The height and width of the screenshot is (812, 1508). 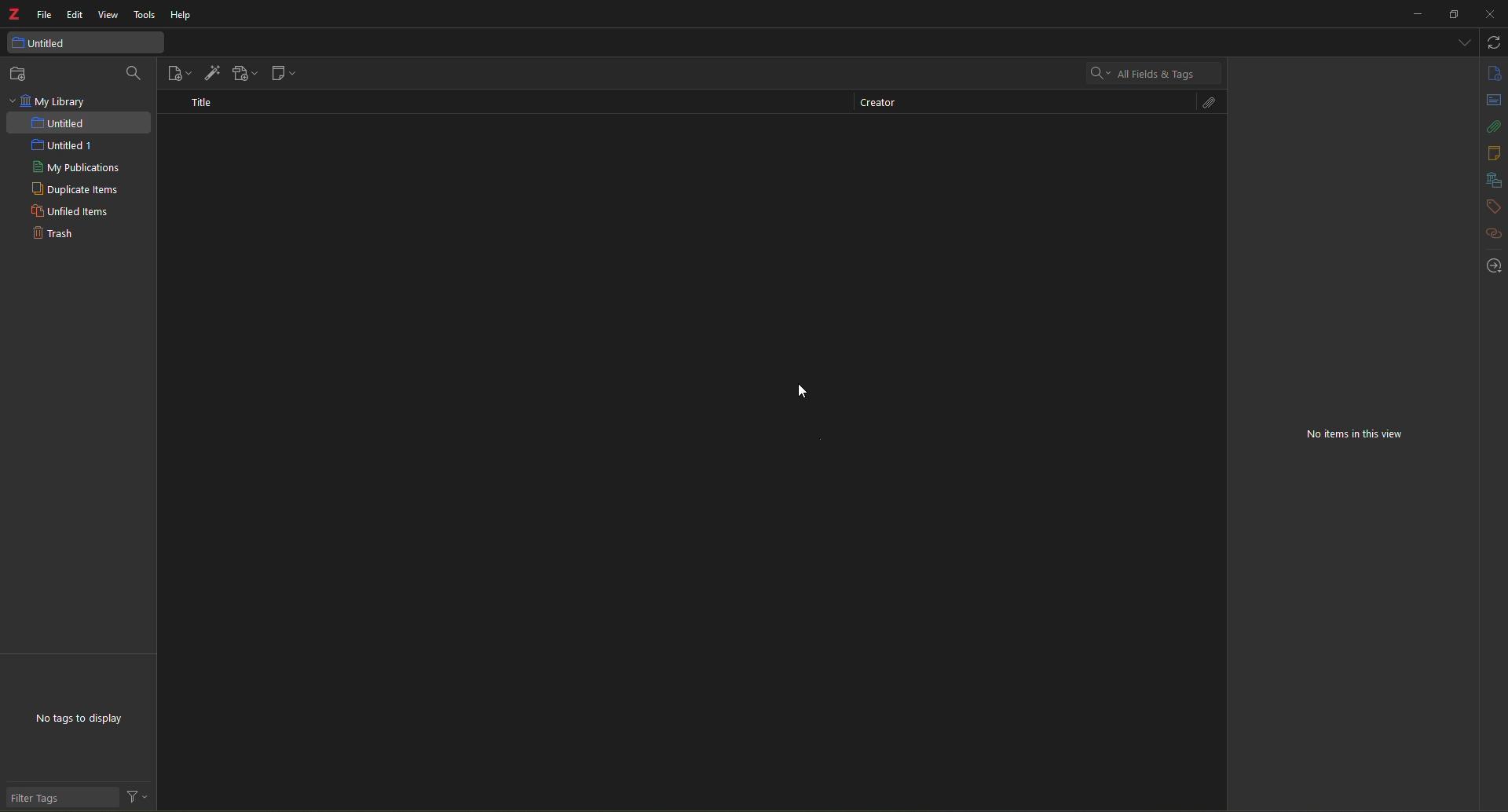 What do you see at coordinates (1394, 73) in the screenshot?
I see `insert link` at bounding box center [1394, 73].